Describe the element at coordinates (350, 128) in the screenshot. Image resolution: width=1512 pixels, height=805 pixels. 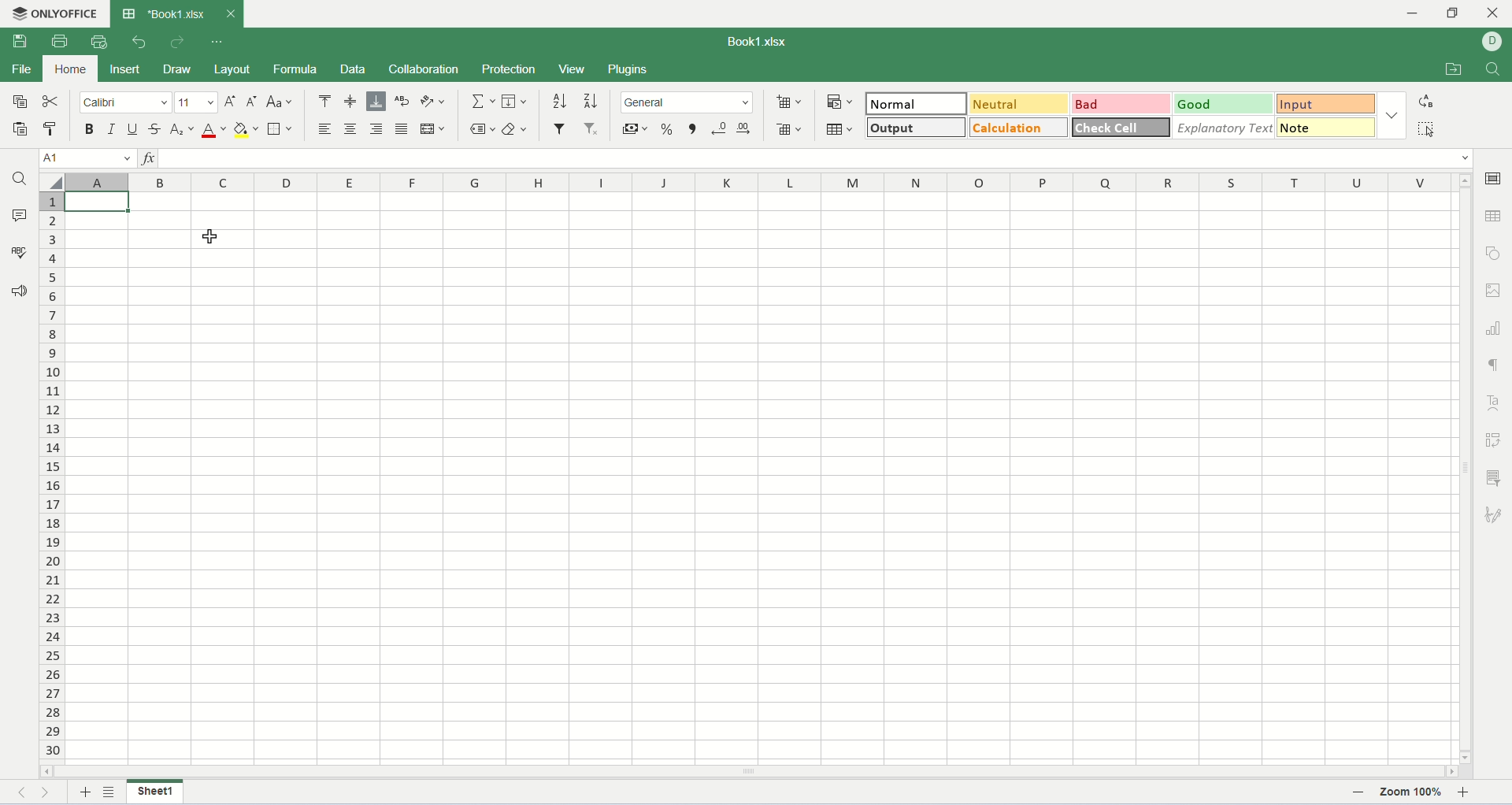
I see `align center` at that location.